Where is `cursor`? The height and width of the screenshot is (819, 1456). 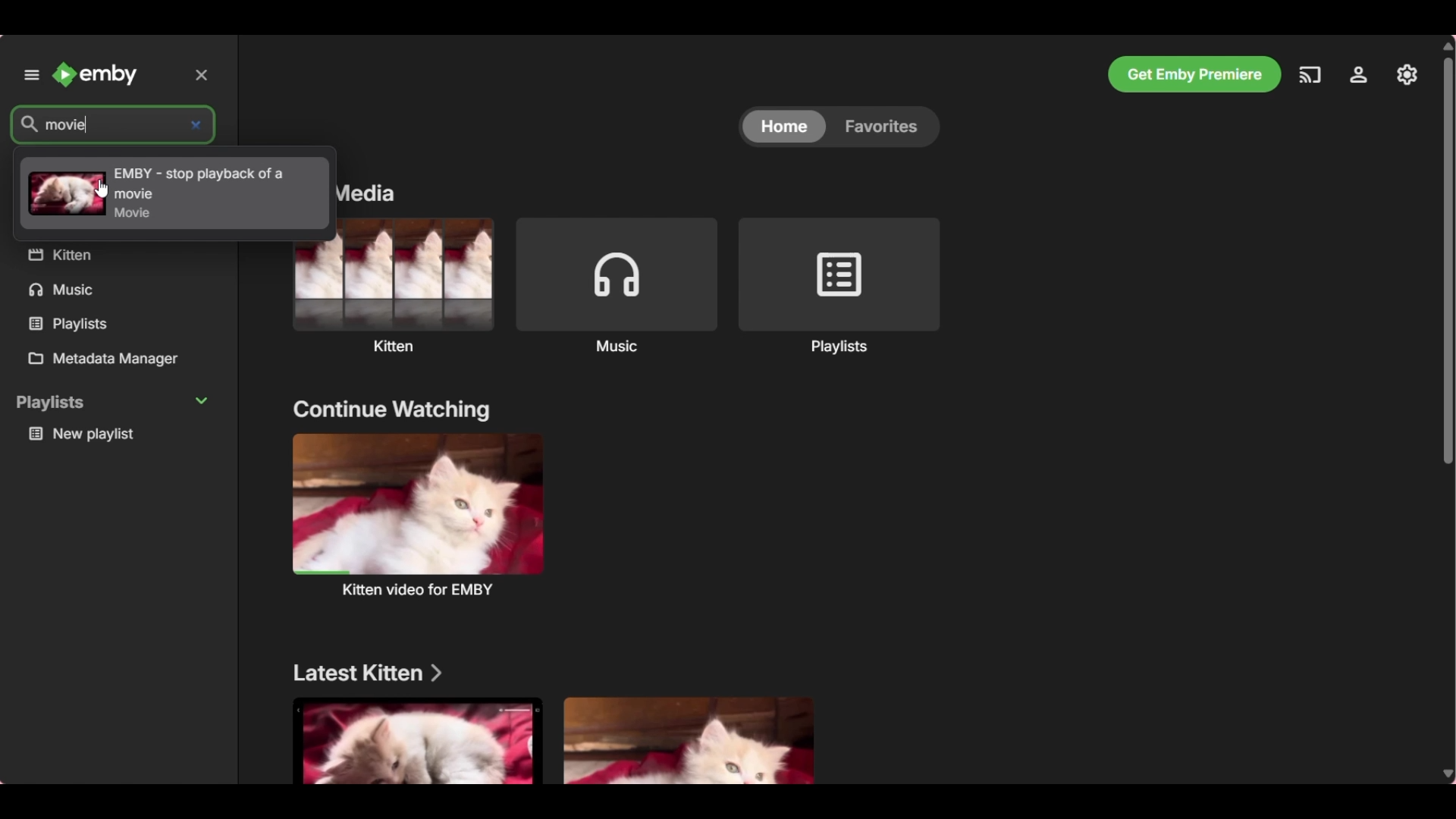
cursor is located at coordinates (102, 188).